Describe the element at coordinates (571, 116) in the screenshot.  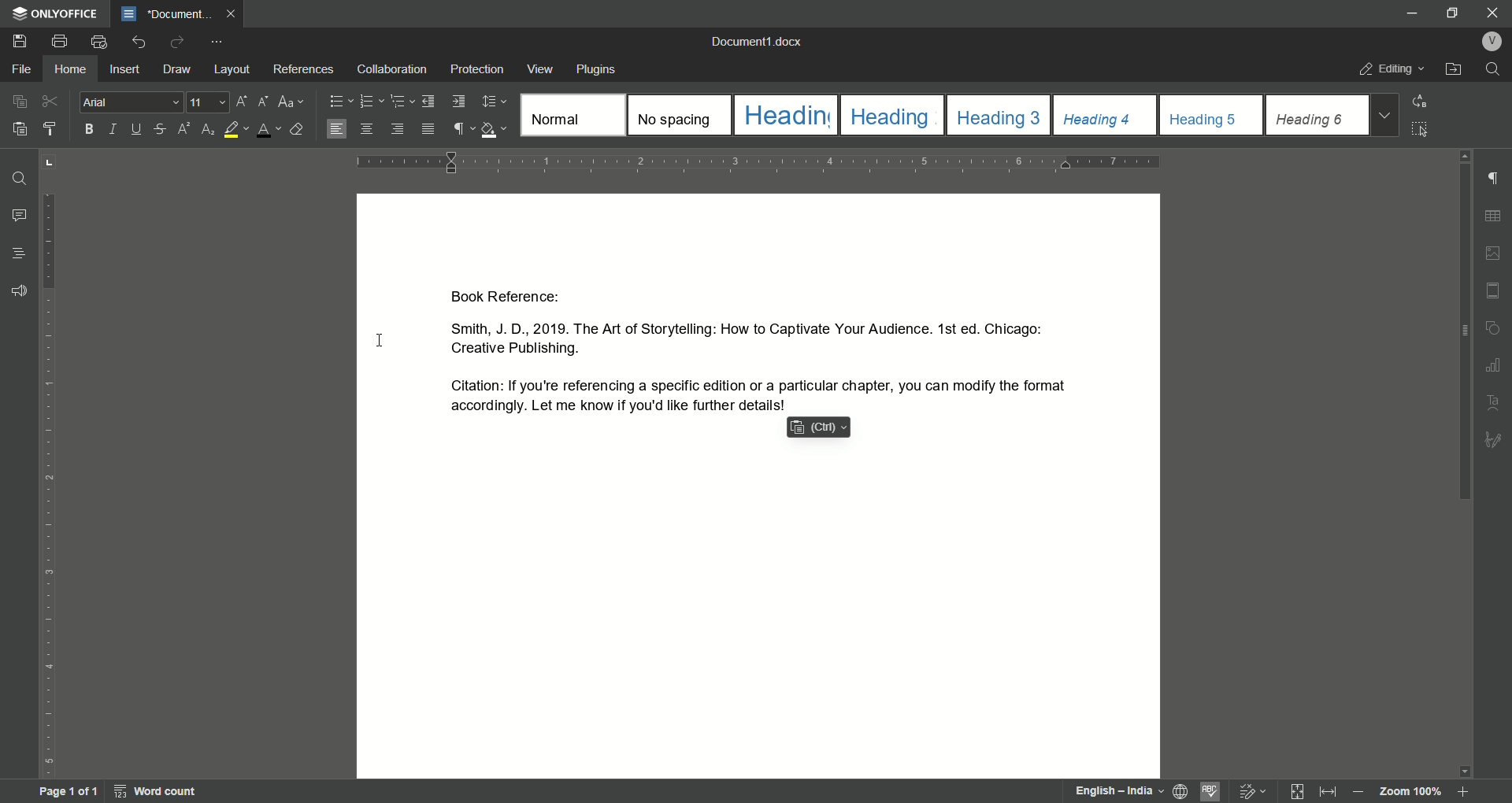
I see `headings` at that location.